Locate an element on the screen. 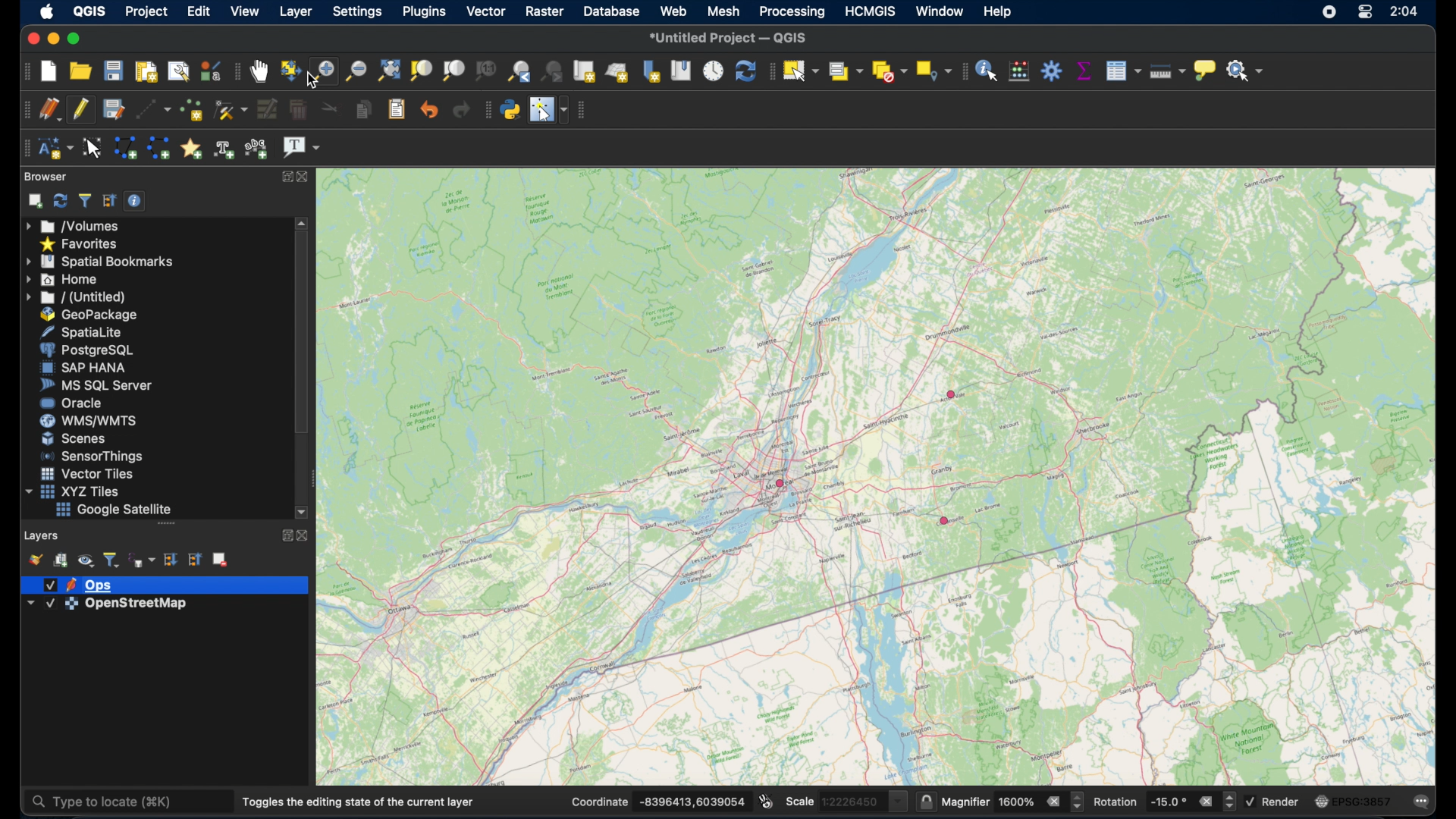  project is located at coordinates (147, 12).